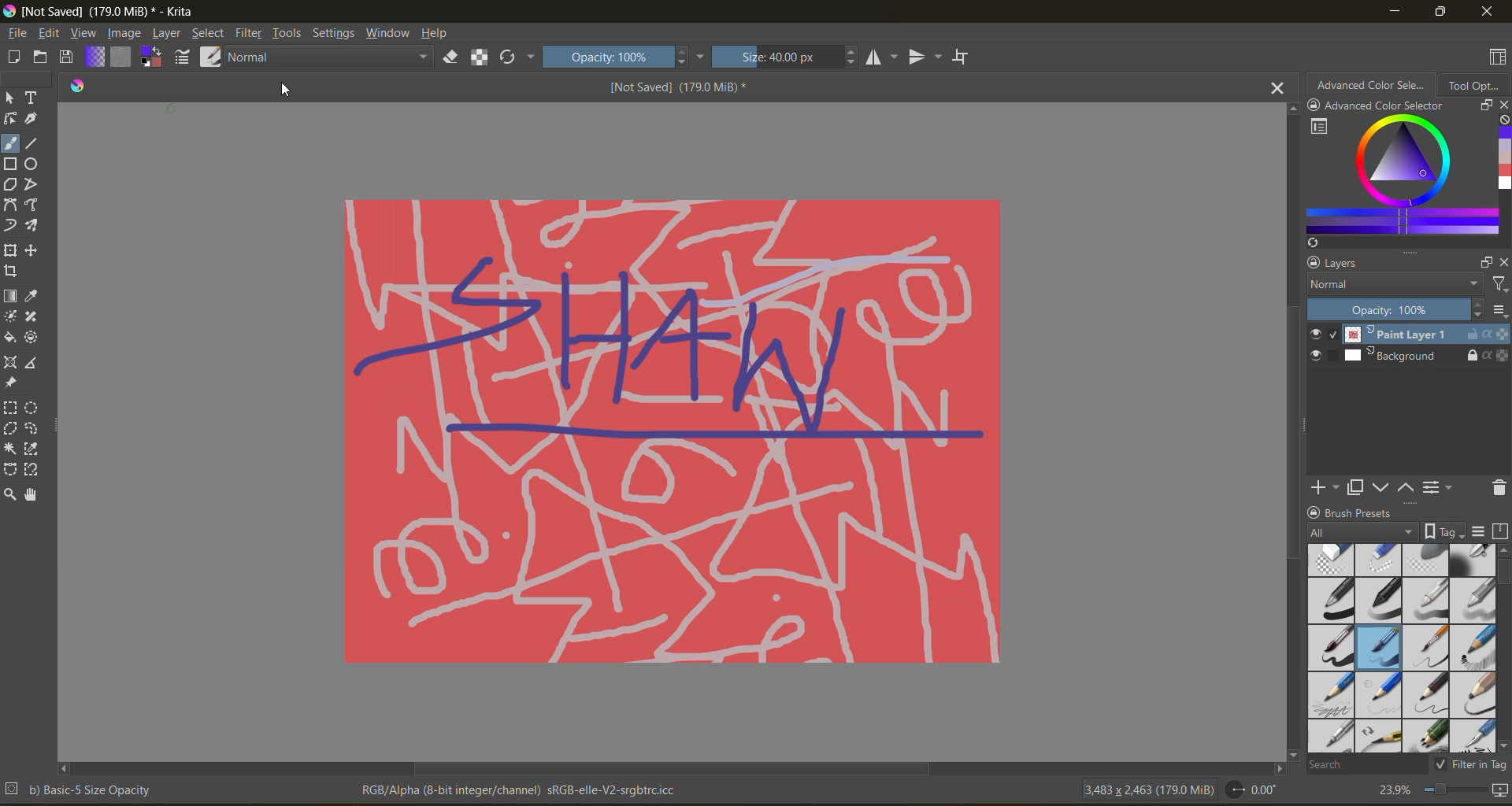 This screenshot has height=806, width=1512. What do you see at coordinates (1498, 311) in the screenshot?
I see `options` at bounding box center [1498, 311].